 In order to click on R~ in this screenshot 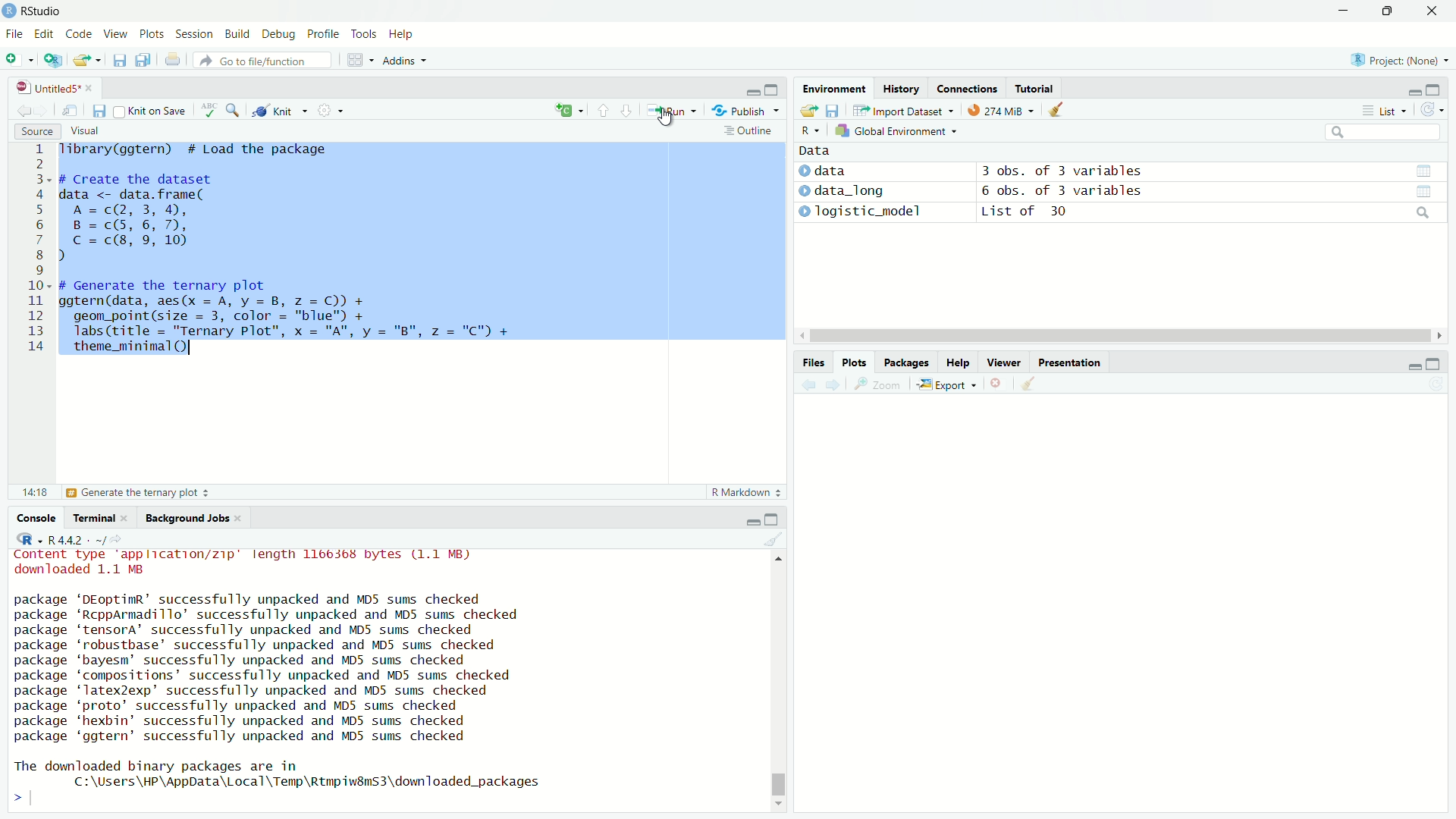, I will do `click(808, 129)`.